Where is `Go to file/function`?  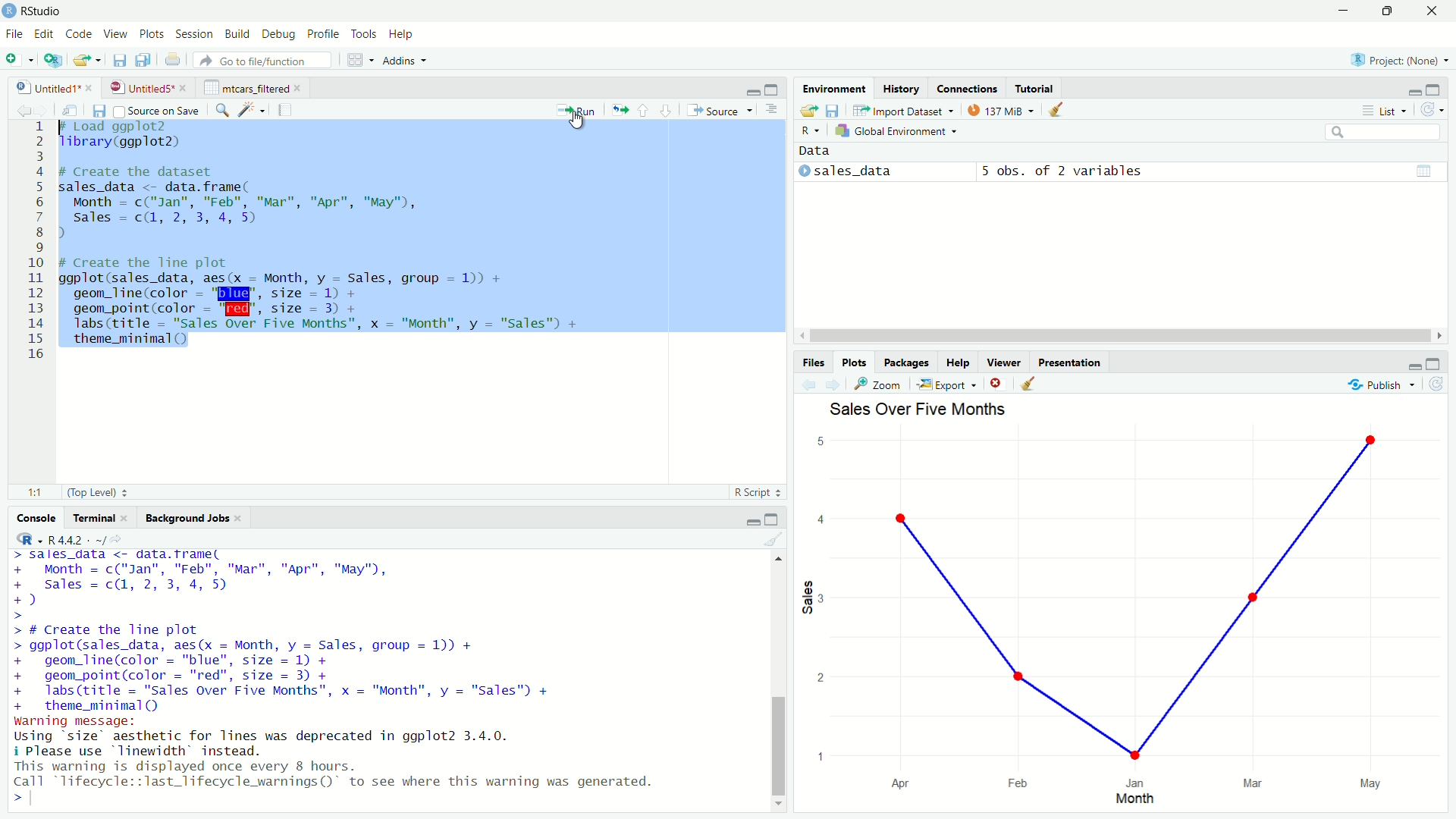
Go to file/function is located at coordinates (262, 60).